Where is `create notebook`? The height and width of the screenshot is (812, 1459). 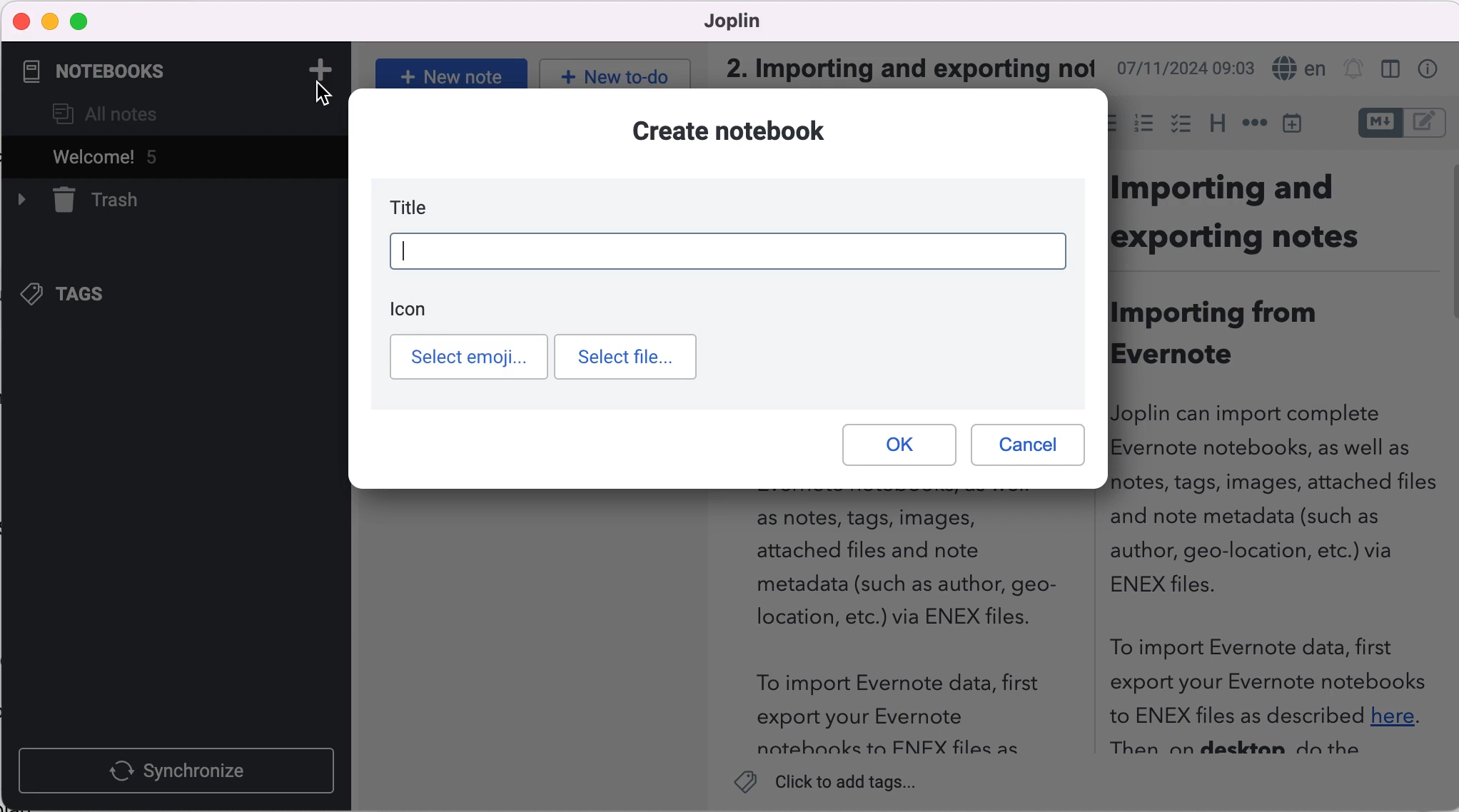
create notebook is located at coordinates (745, 133).